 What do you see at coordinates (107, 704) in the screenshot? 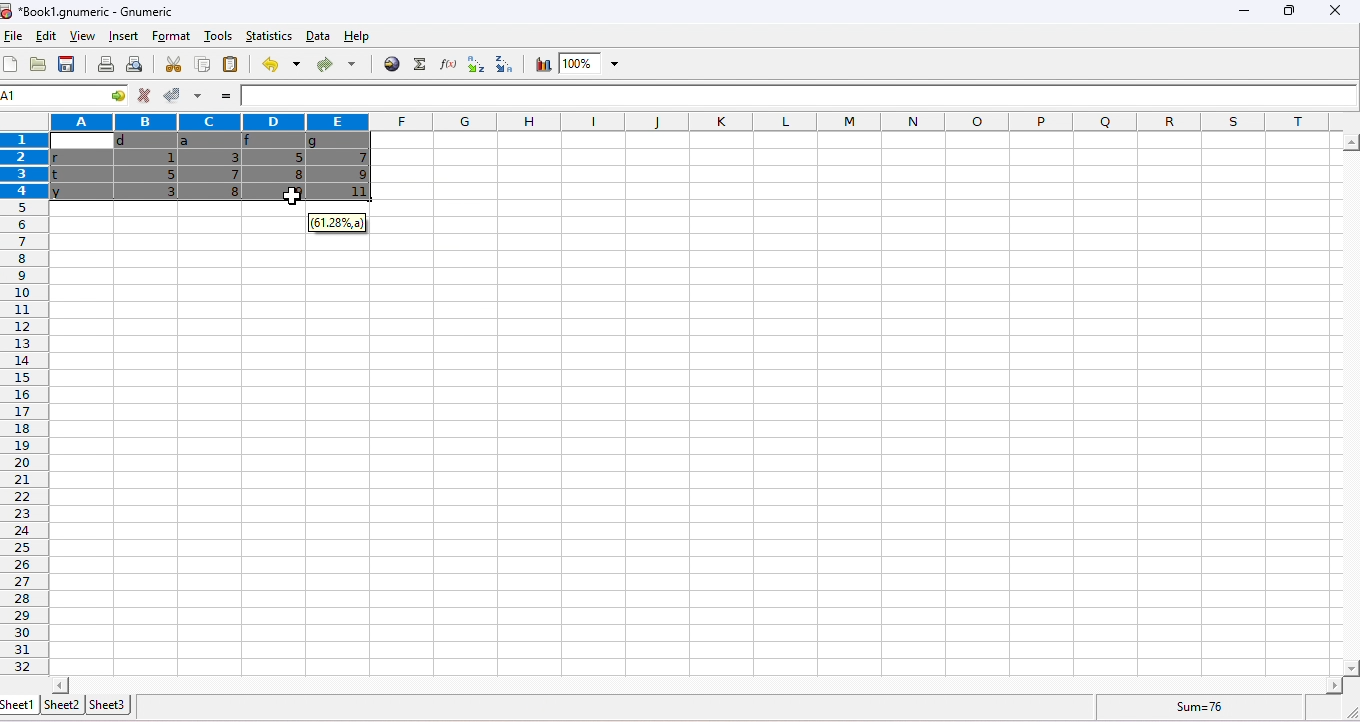
I see `sheet3` at bounding box center [107, 704].